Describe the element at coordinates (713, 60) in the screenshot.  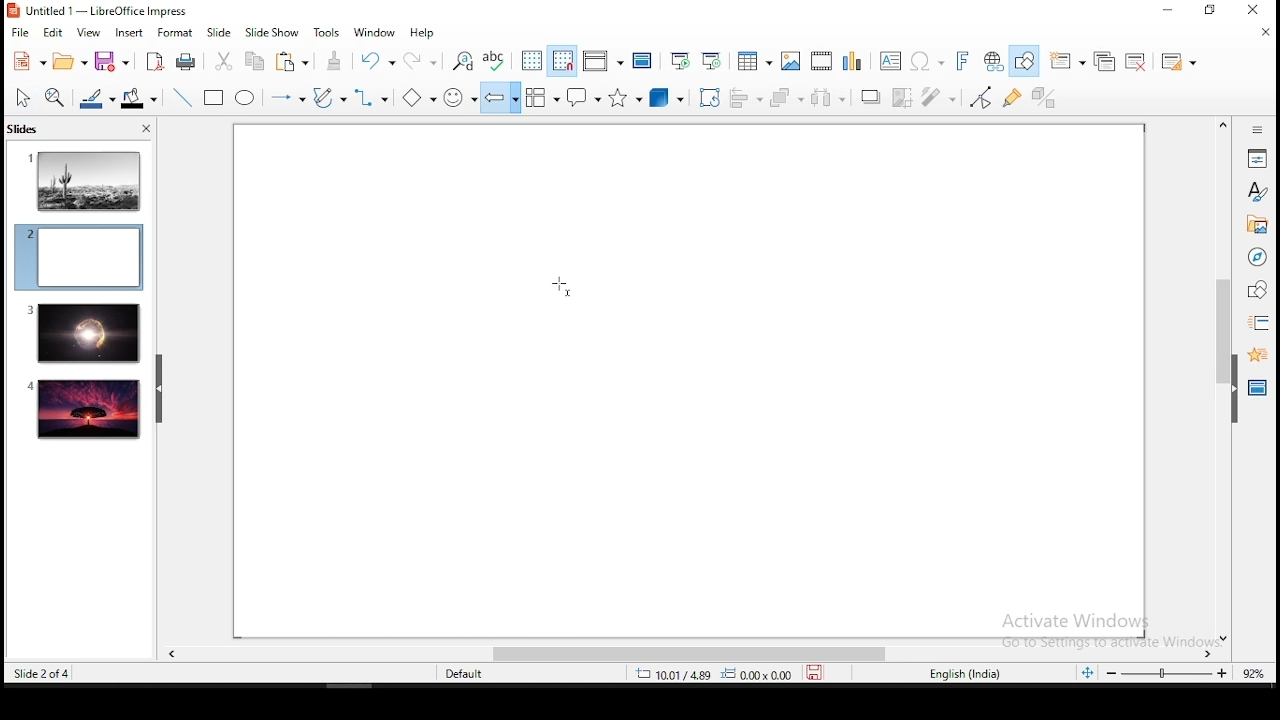
I see `start from current slide` at that location.